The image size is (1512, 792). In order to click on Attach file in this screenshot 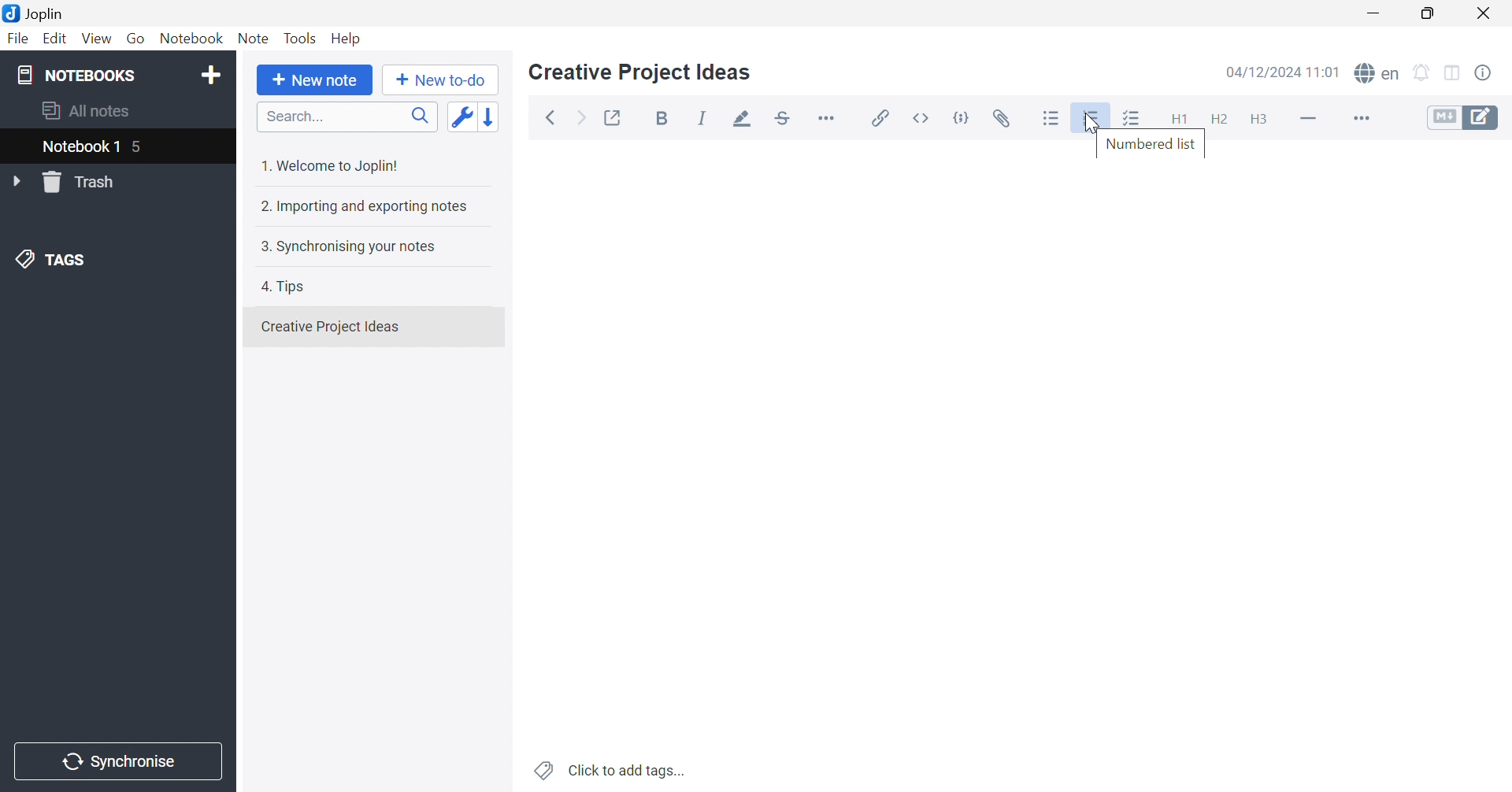, I will do `click(1007, 120)`.